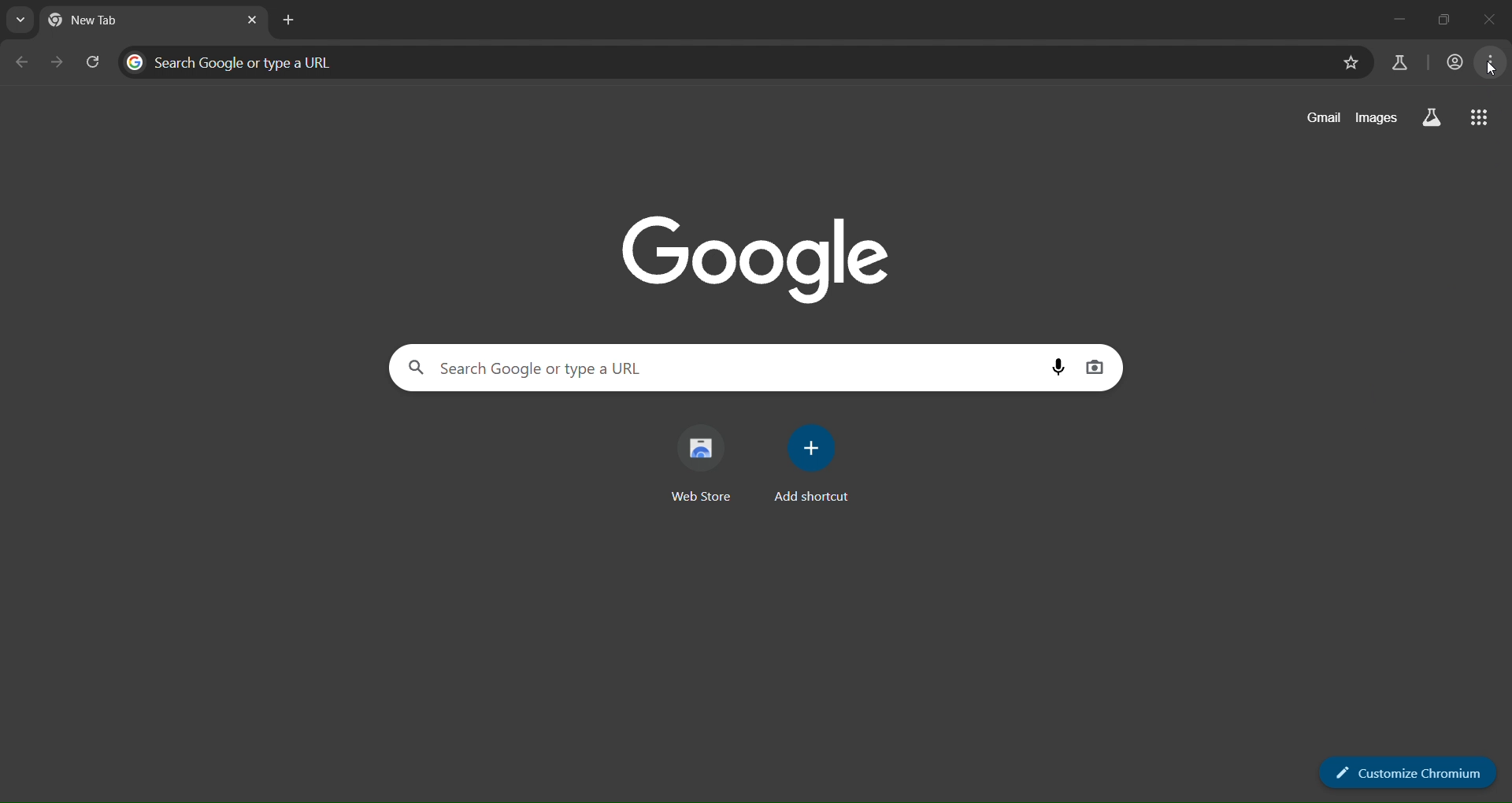 The height and width of the screenshot is (803, 1512). Describe the element at coordinates (235, 61) in the screenshot. I see `search panel` at that location.